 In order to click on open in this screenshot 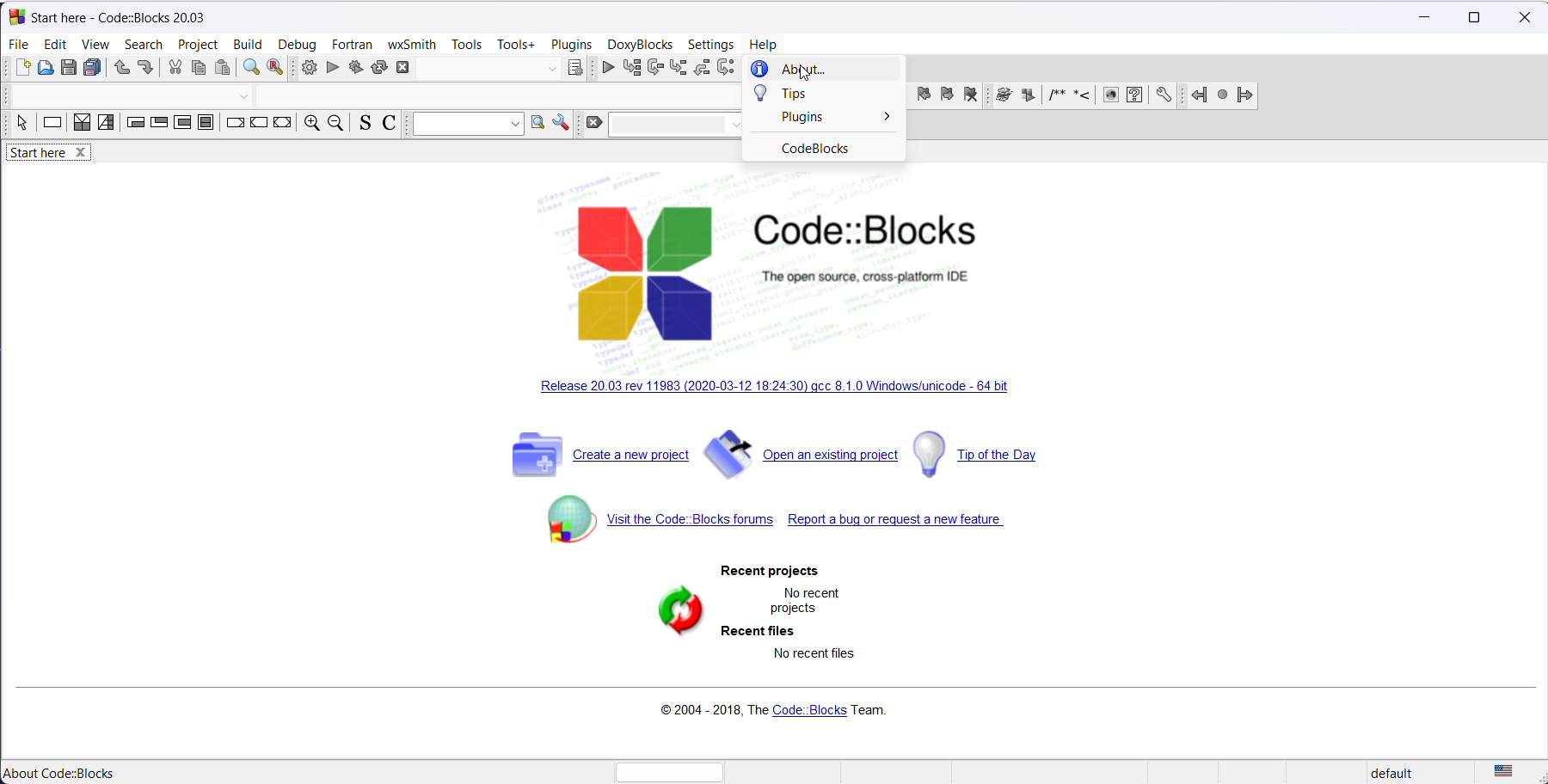, I will do `click(43, 69)`.